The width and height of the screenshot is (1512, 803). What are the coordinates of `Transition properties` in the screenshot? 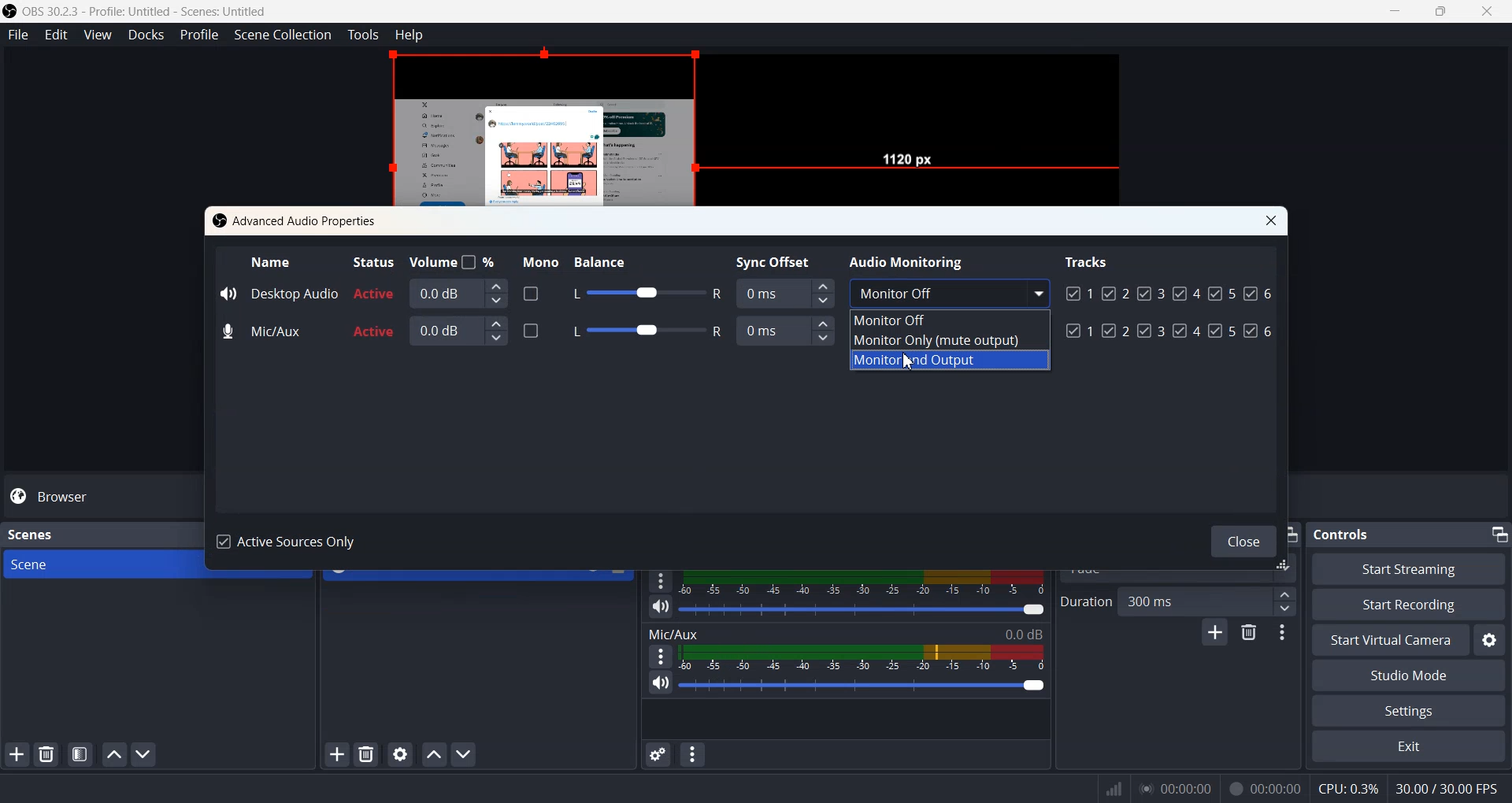 It's located at (1285, 635).